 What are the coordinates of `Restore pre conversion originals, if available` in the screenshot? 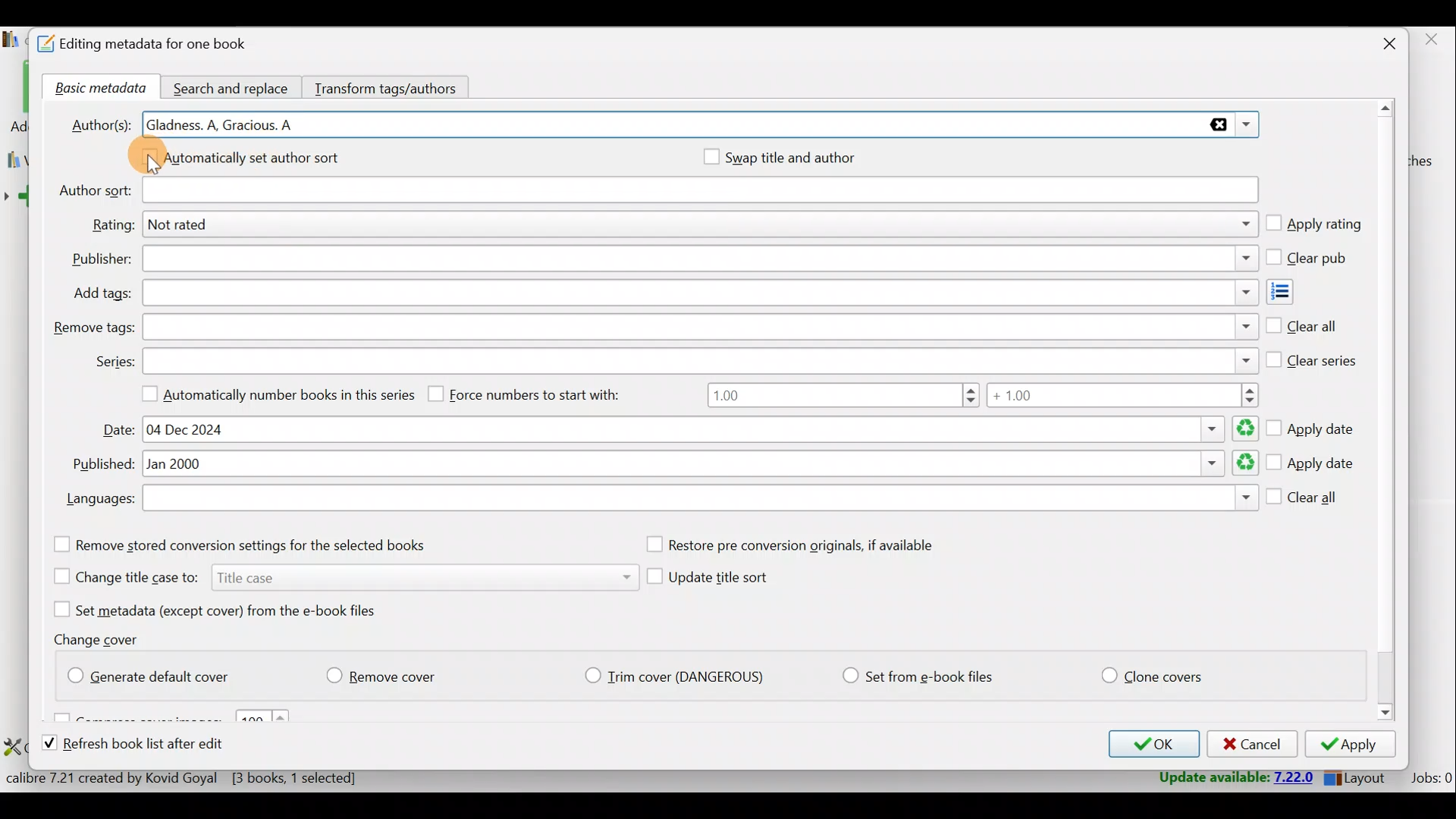 It's located at (806, 545).